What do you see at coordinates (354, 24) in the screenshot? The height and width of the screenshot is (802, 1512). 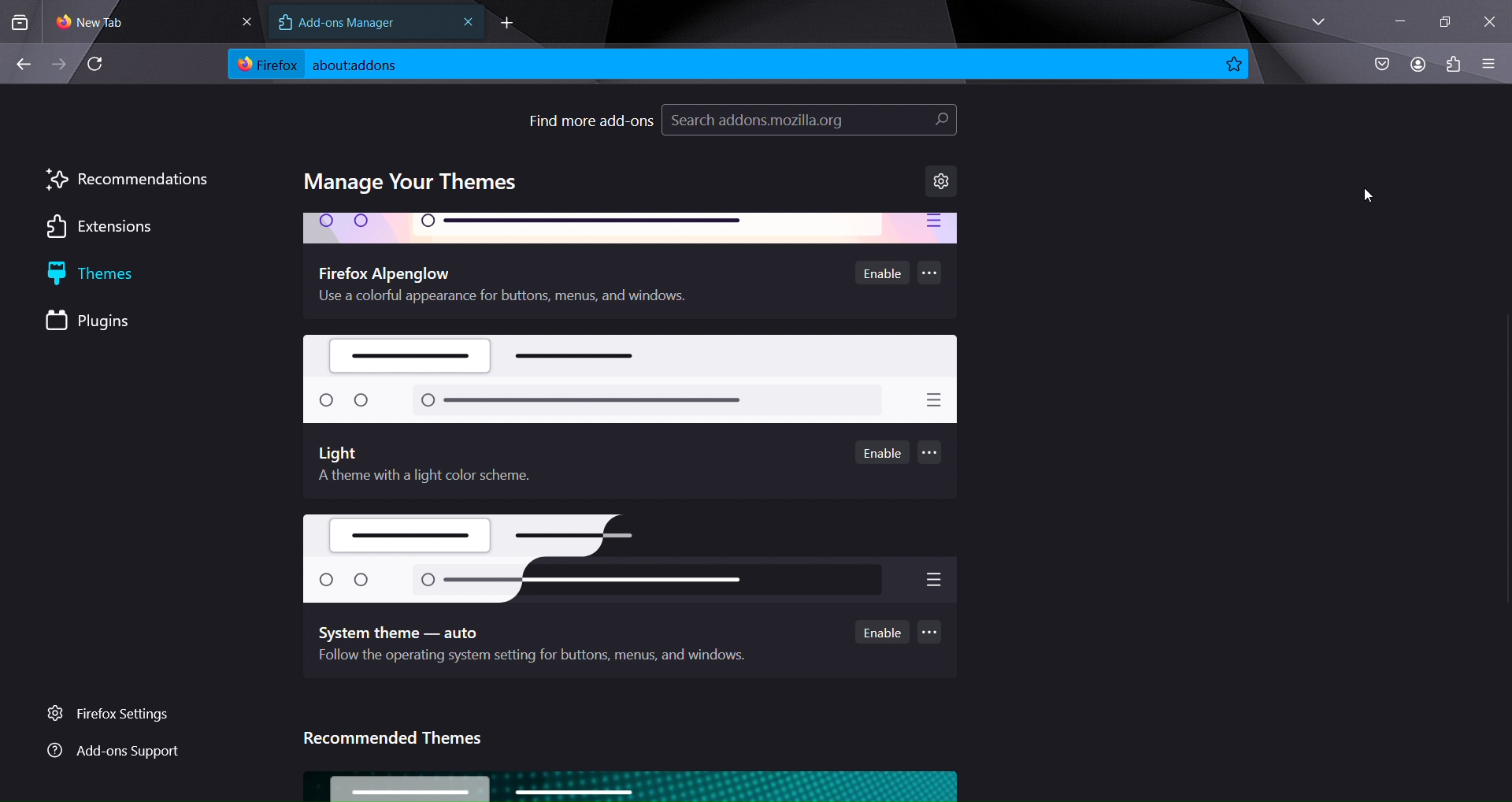 I see `add ons manager` at bounding box center [354, 24].